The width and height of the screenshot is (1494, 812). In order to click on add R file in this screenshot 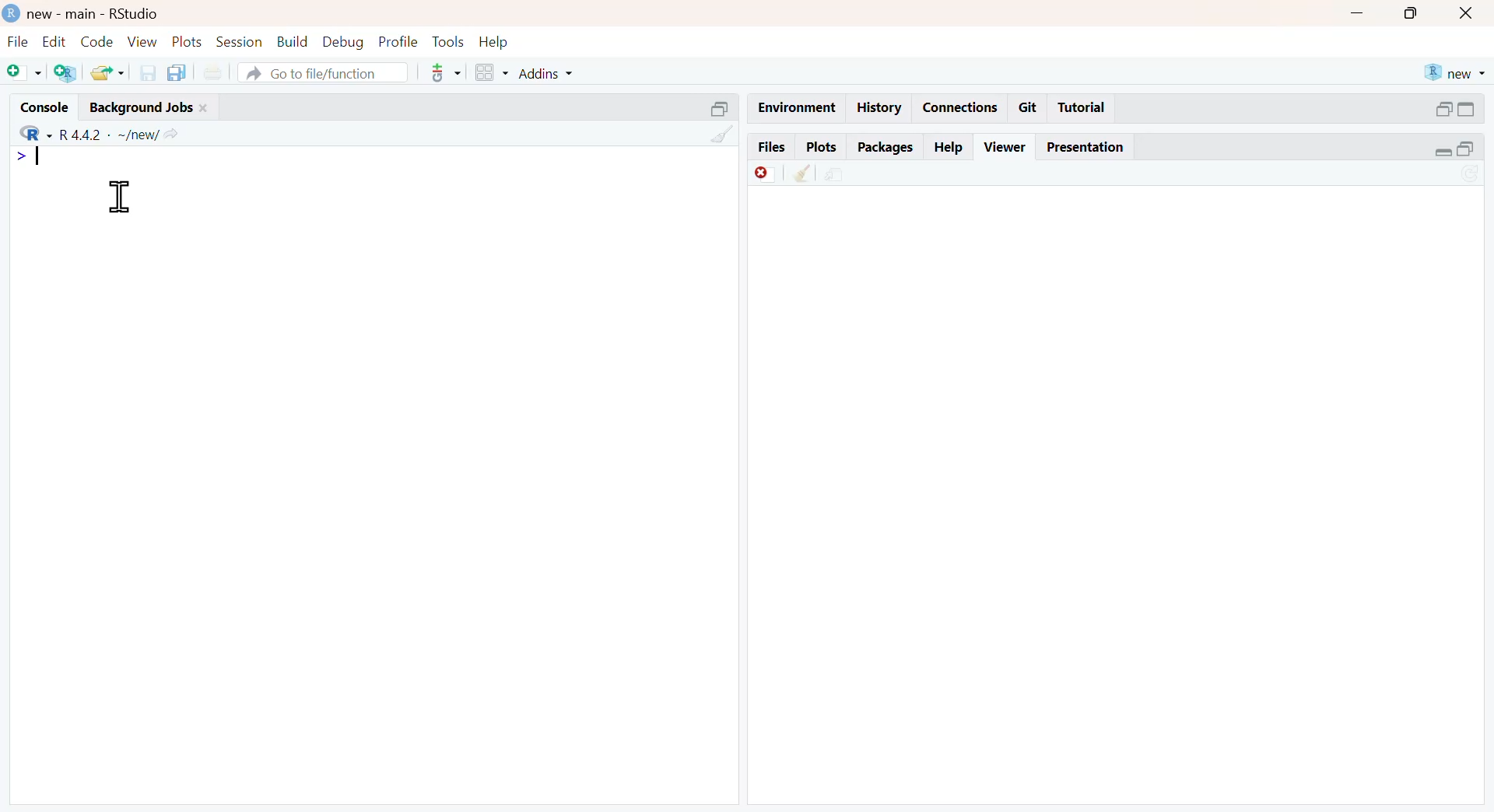, I will do `click(68, 72)`.